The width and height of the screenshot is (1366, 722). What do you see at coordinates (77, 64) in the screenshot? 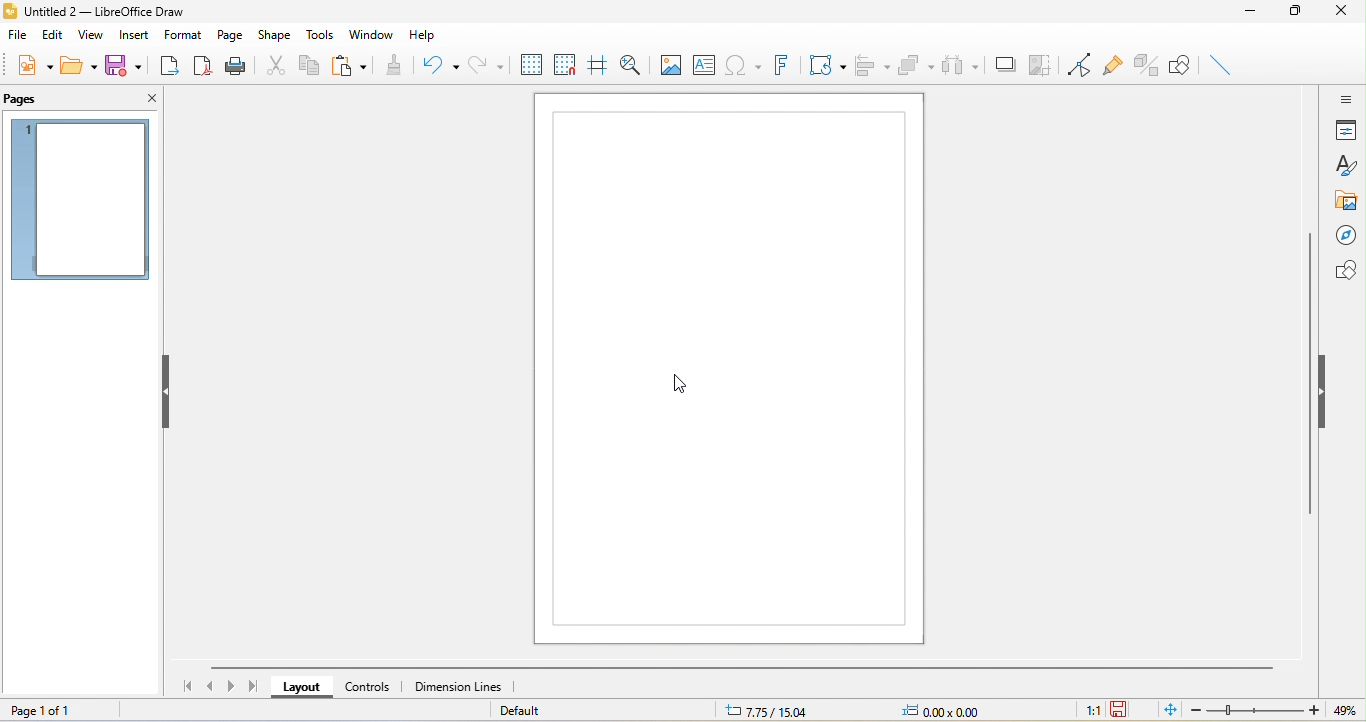
I see `open` at bounding box center [77, 64].